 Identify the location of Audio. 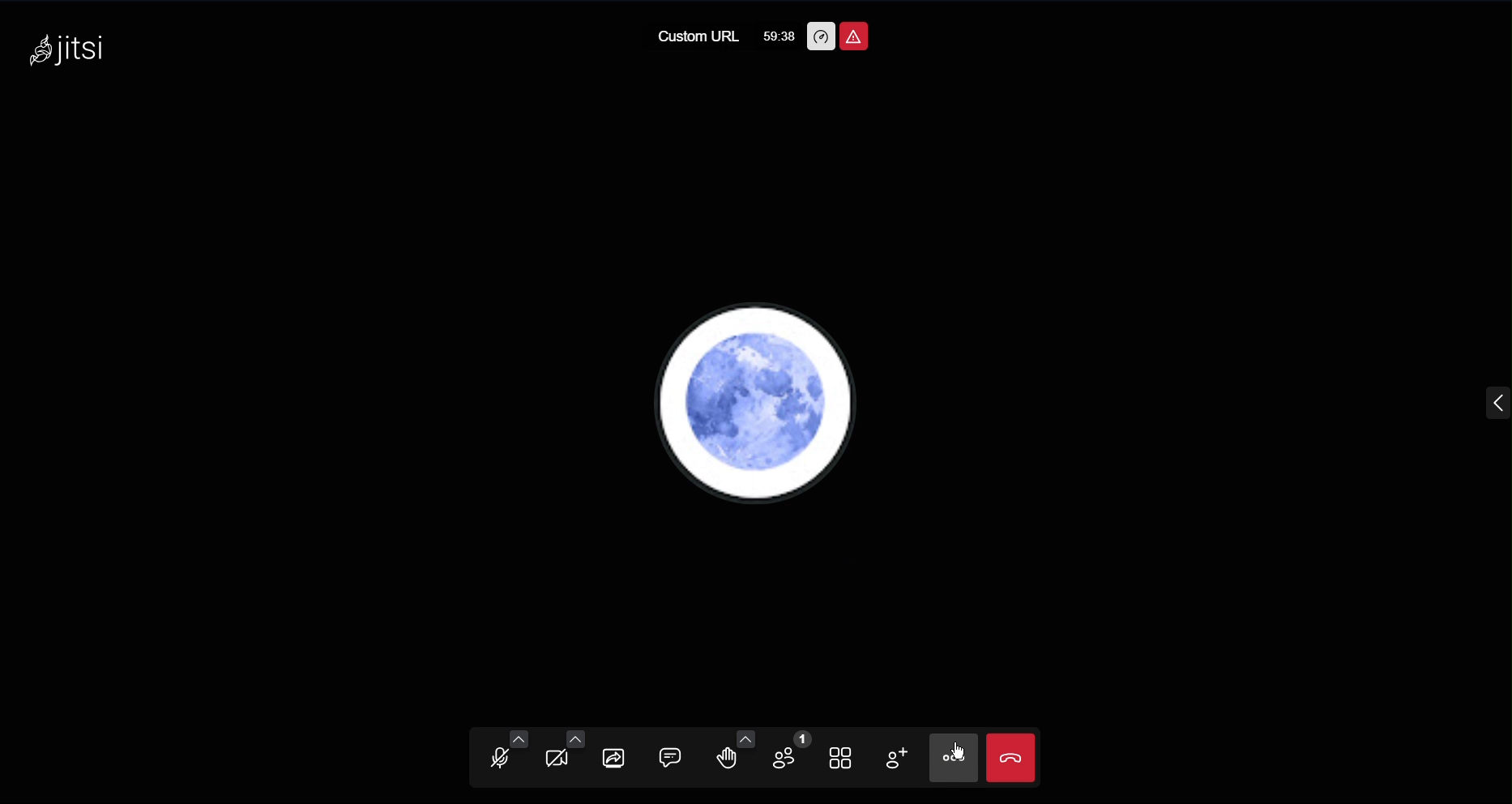
(498, 756).